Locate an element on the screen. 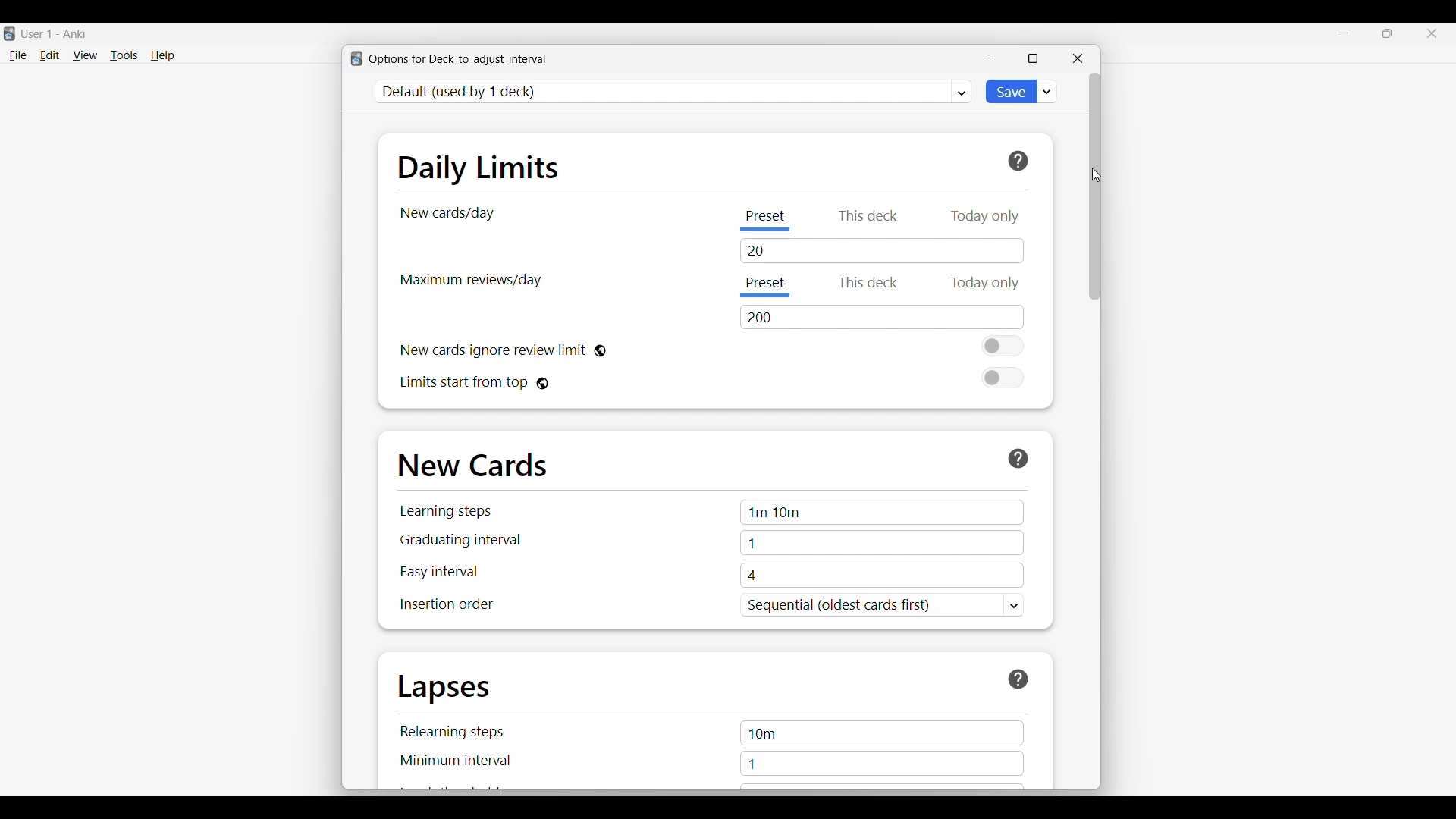  Window title is located at coordinates (458, 59).